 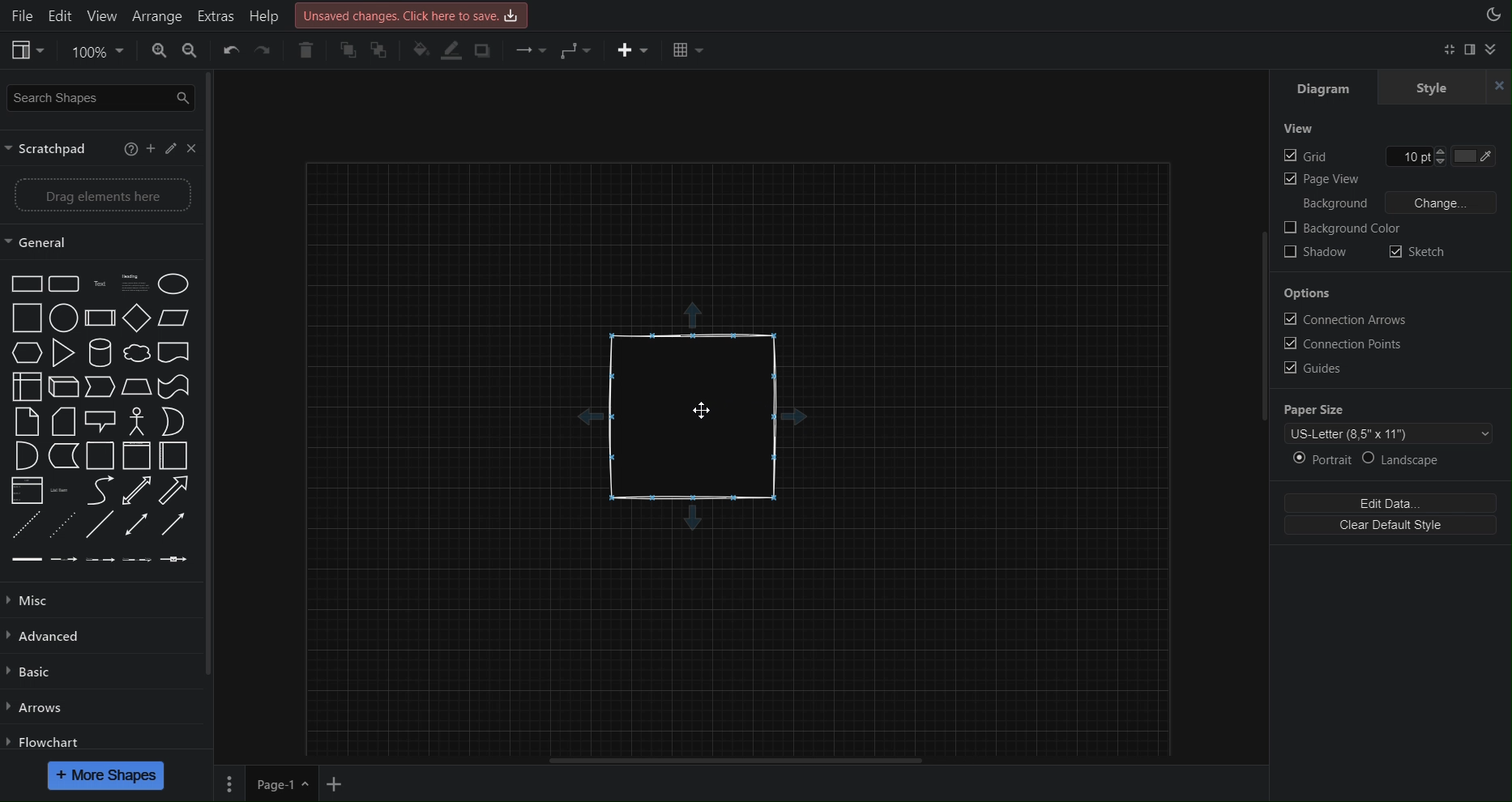 What do you see at coordinates (732, 757) in the screenshot?
I see `Scrollbar` at bounding box center [732, 757].